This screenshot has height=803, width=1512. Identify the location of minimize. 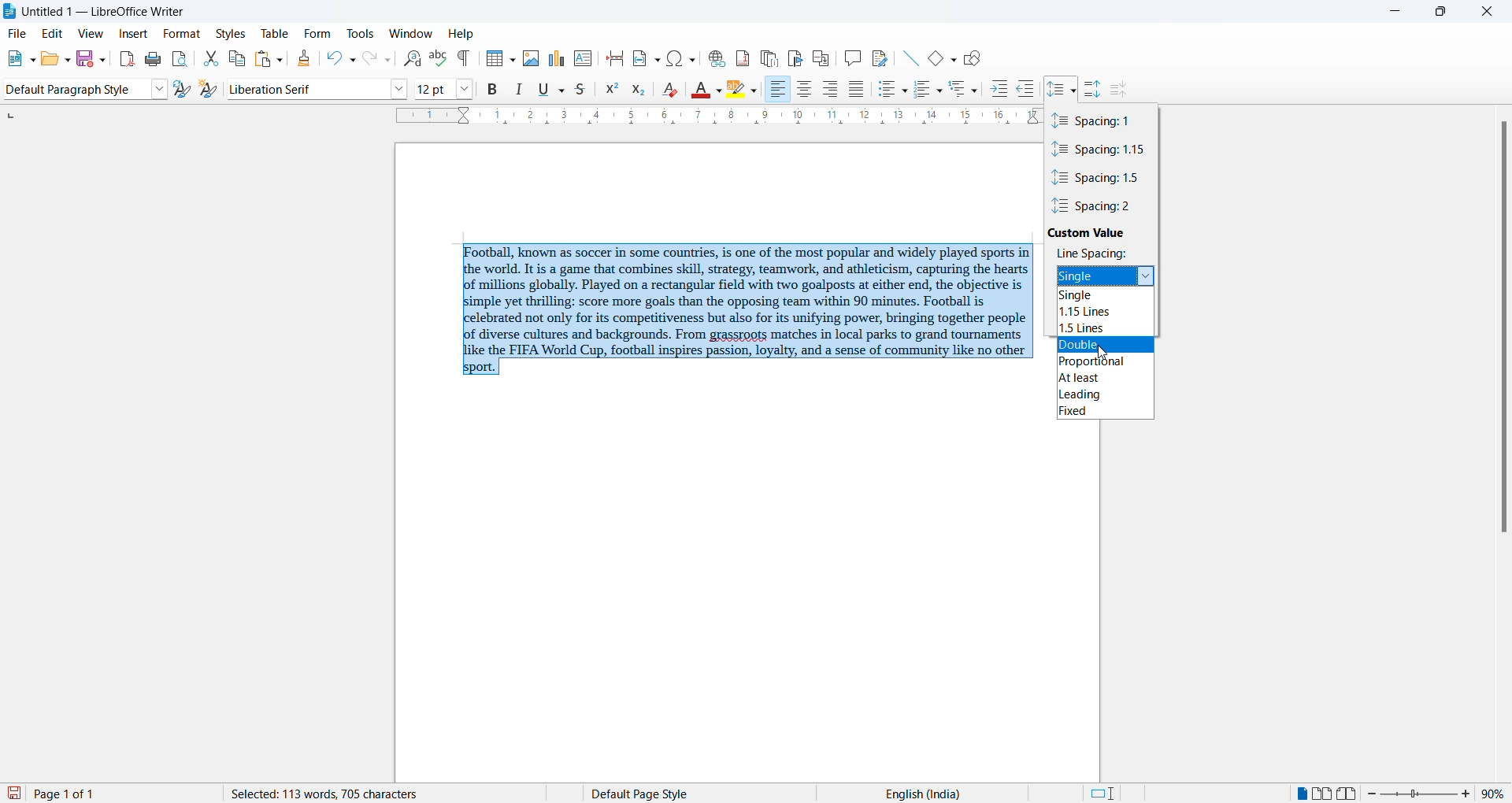
(1388, 12).